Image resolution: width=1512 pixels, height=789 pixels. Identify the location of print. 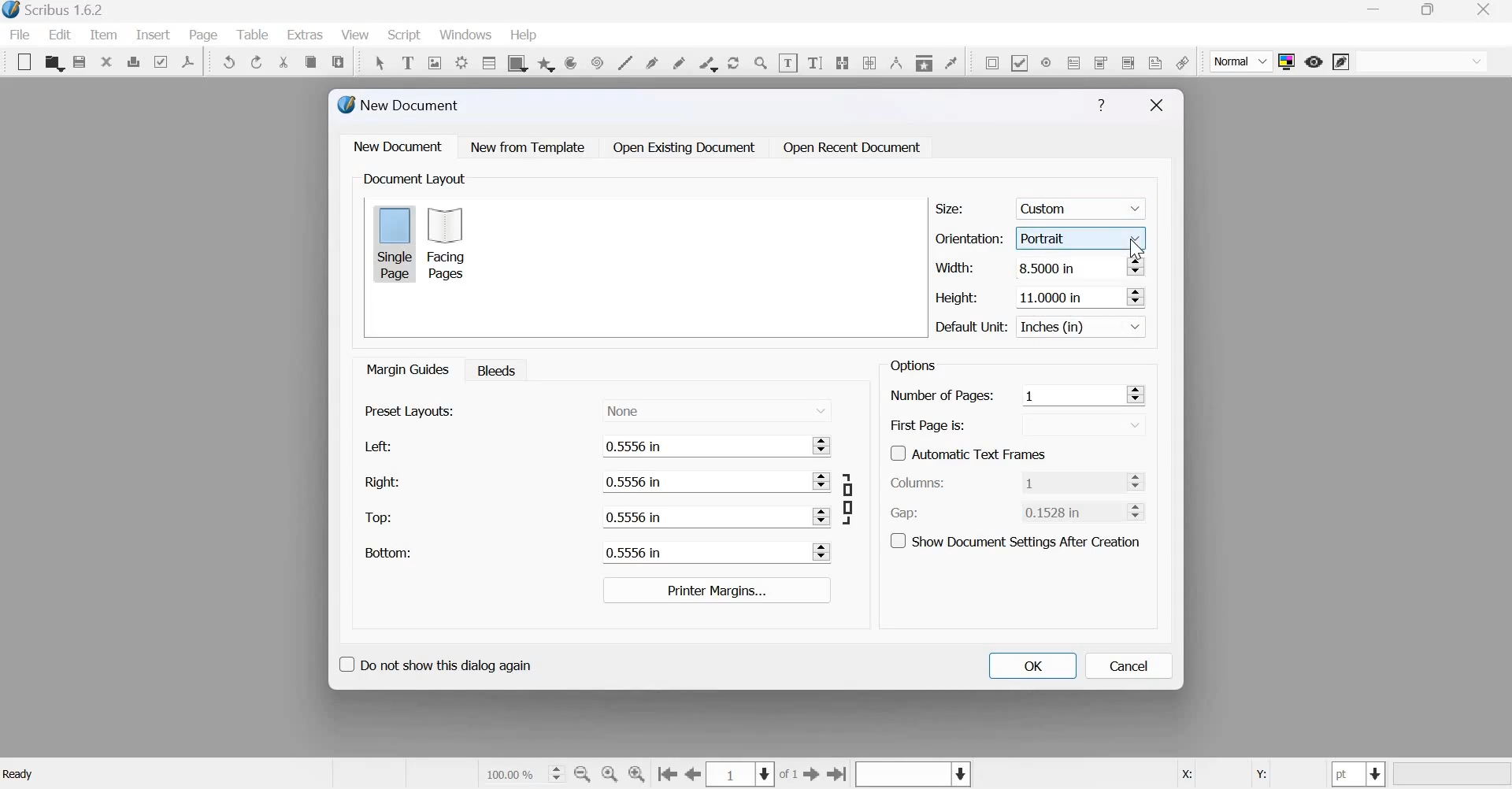
(133, 61).